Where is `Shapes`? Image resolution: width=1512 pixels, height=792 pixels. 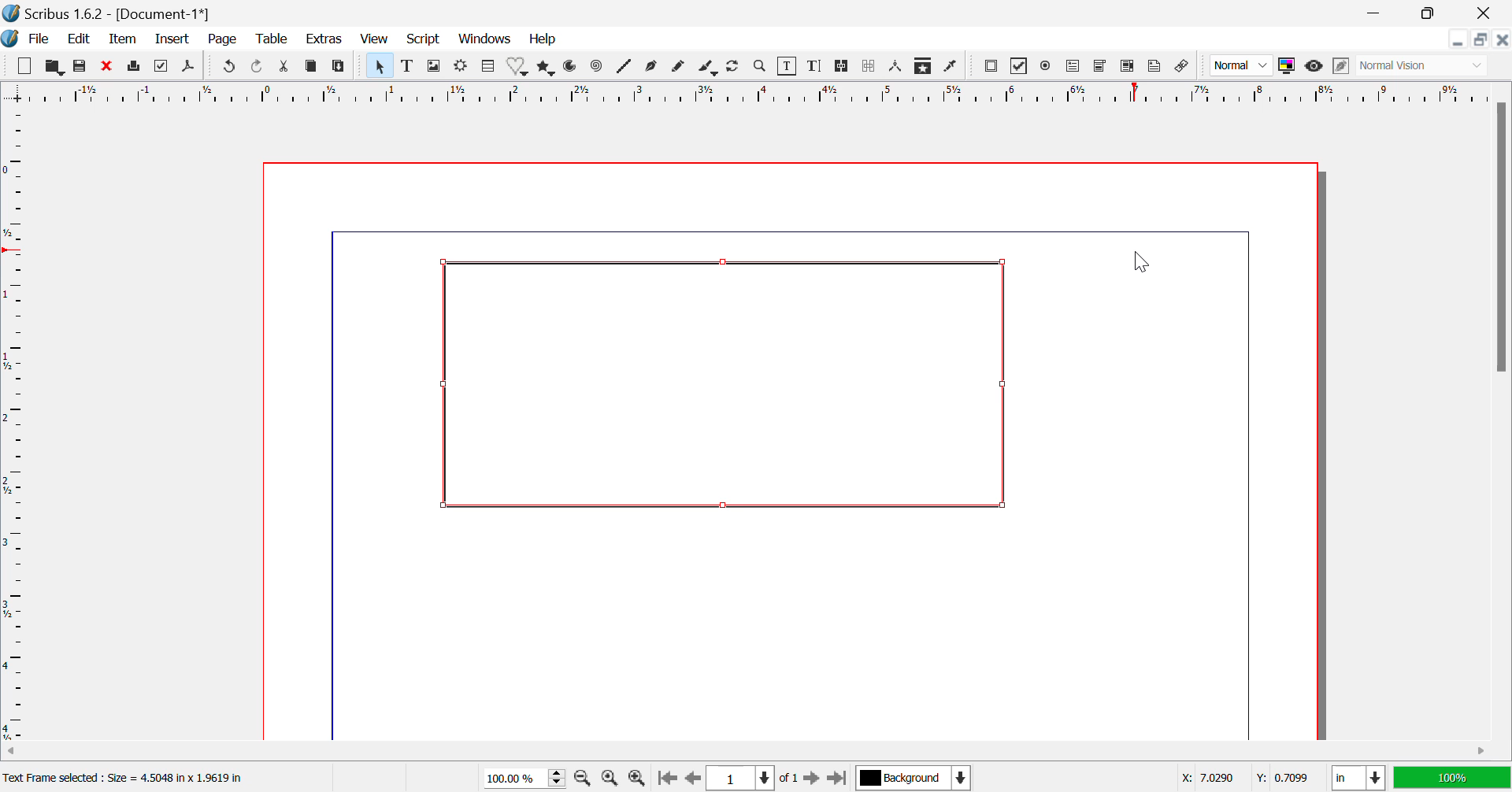
Shapes is located at coordinates (520, 68).